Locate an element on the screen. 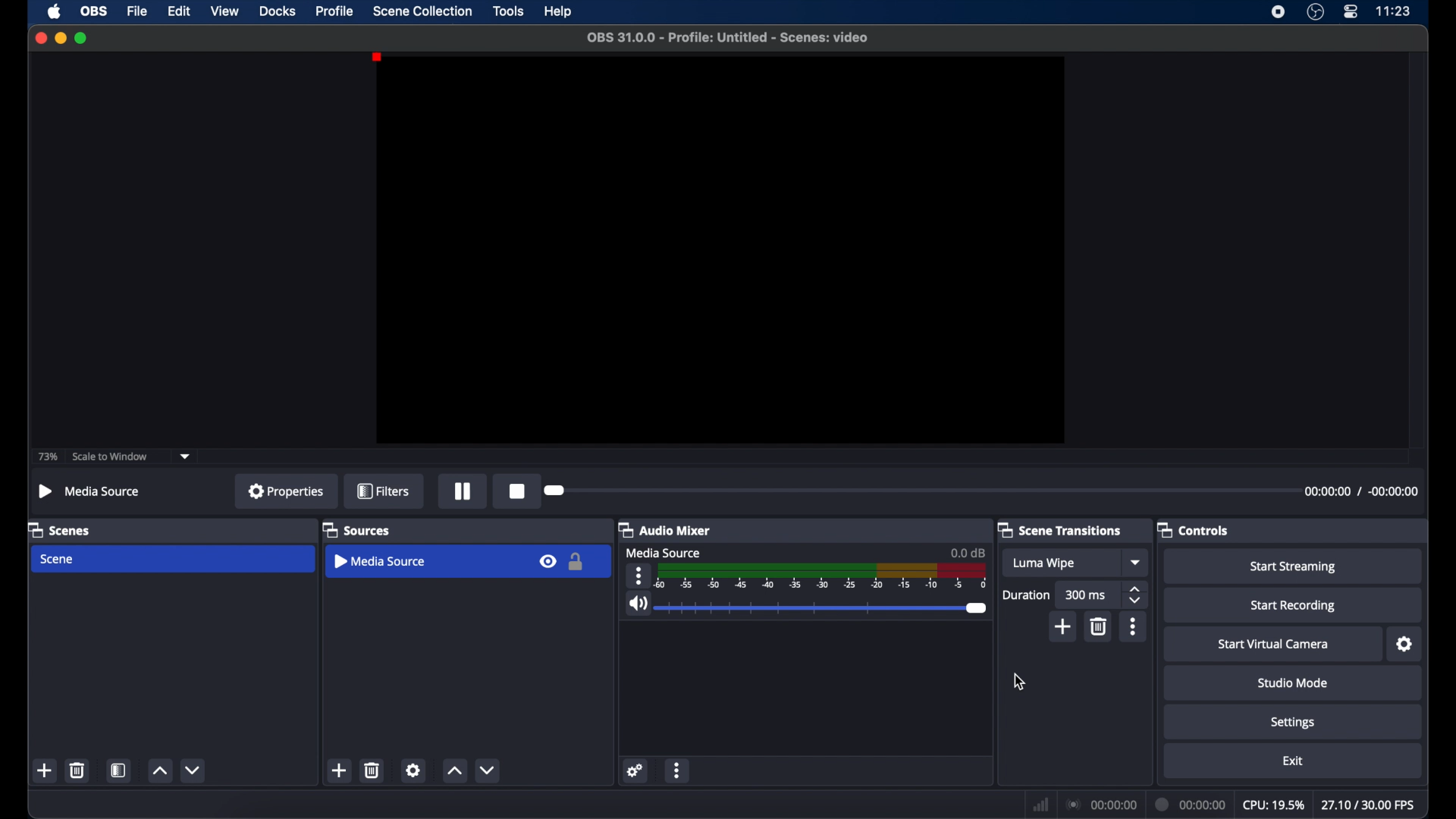 This screenshot has width=1456, height=819. settings is located at coordinates (1406, 645).